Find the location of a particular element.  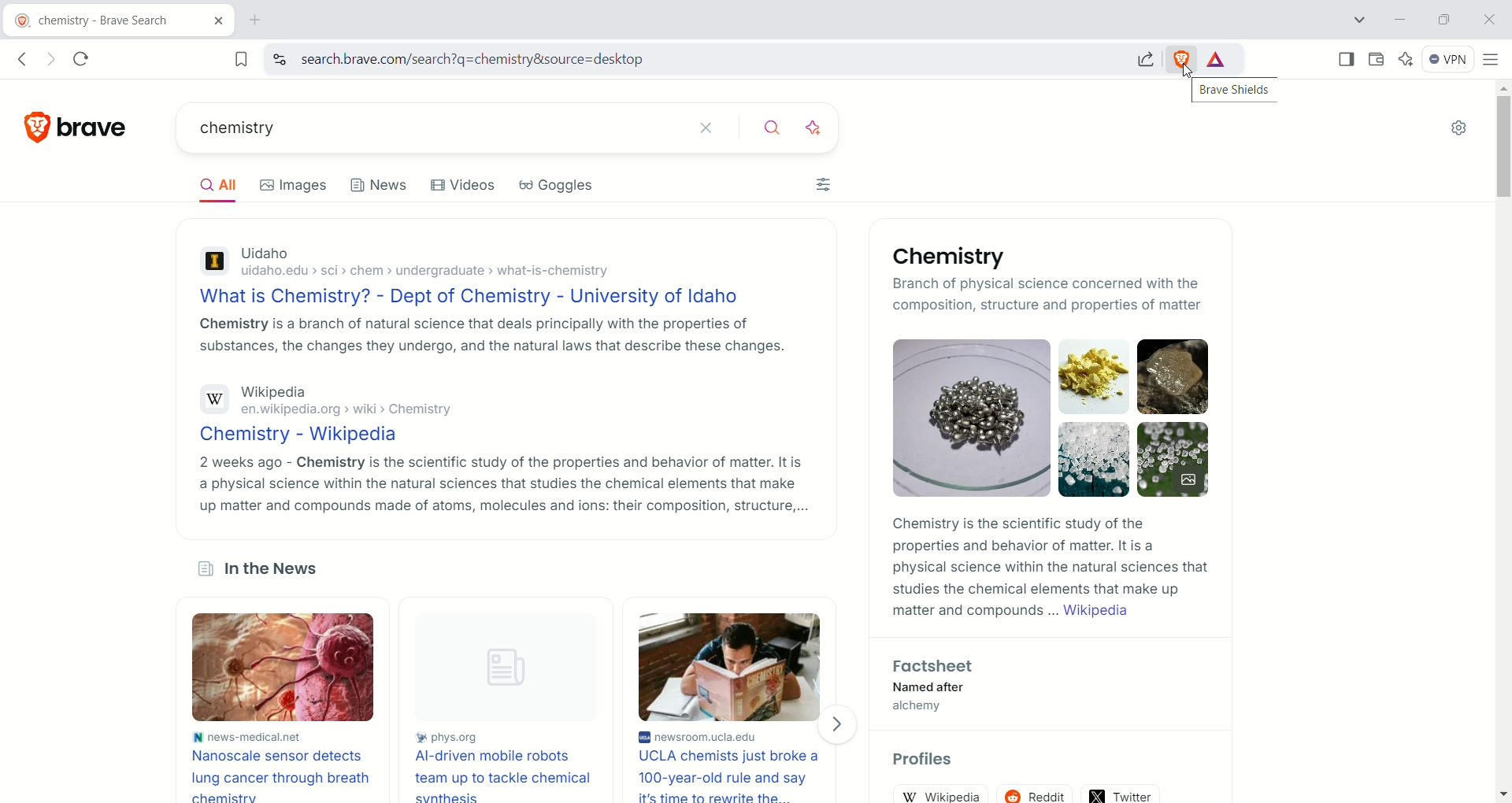

restore is located at coordinates (1444, 19).